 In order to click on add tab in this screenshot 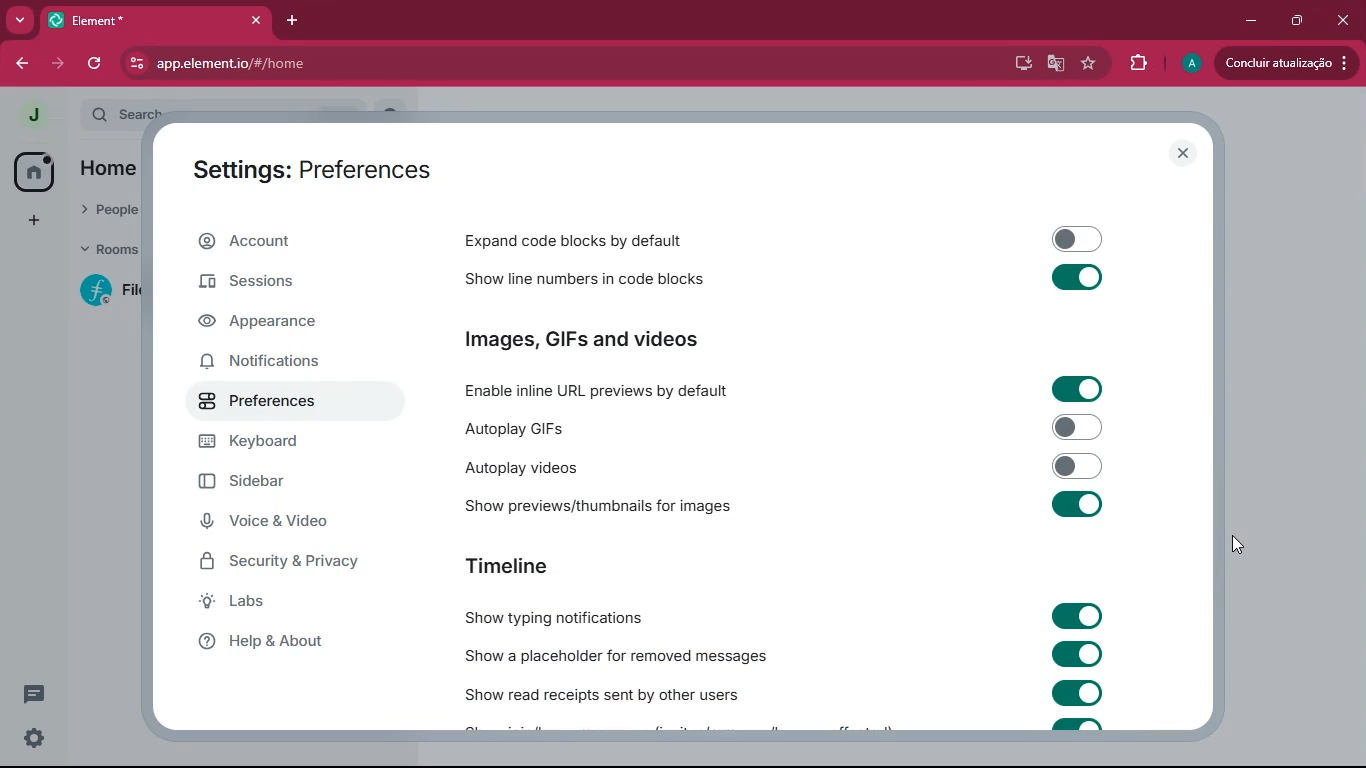, I will do `click(291, 21)`.